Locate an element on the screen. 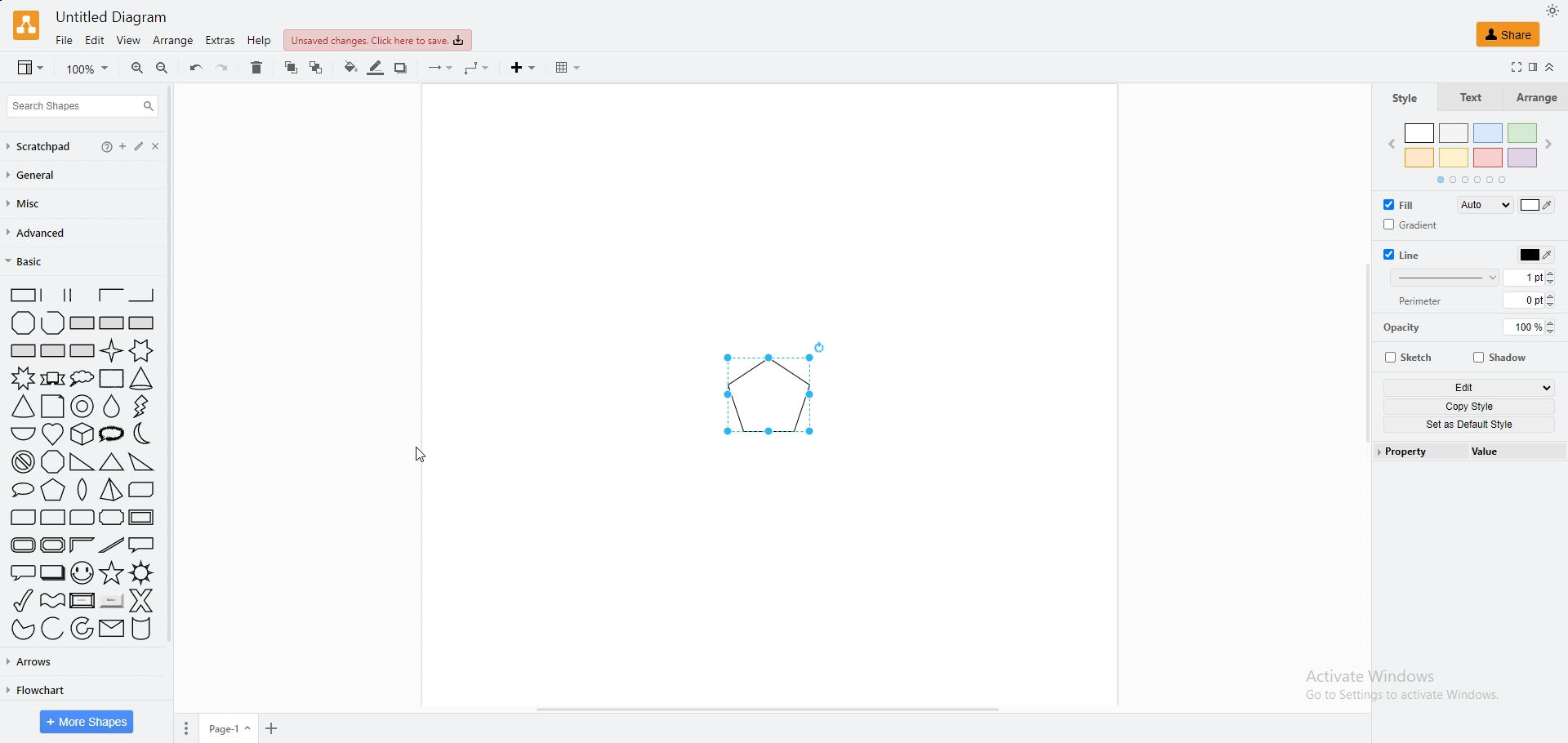 This screenshot has width=1568, height=743. rounded frame is located at coordinates (19, 545).